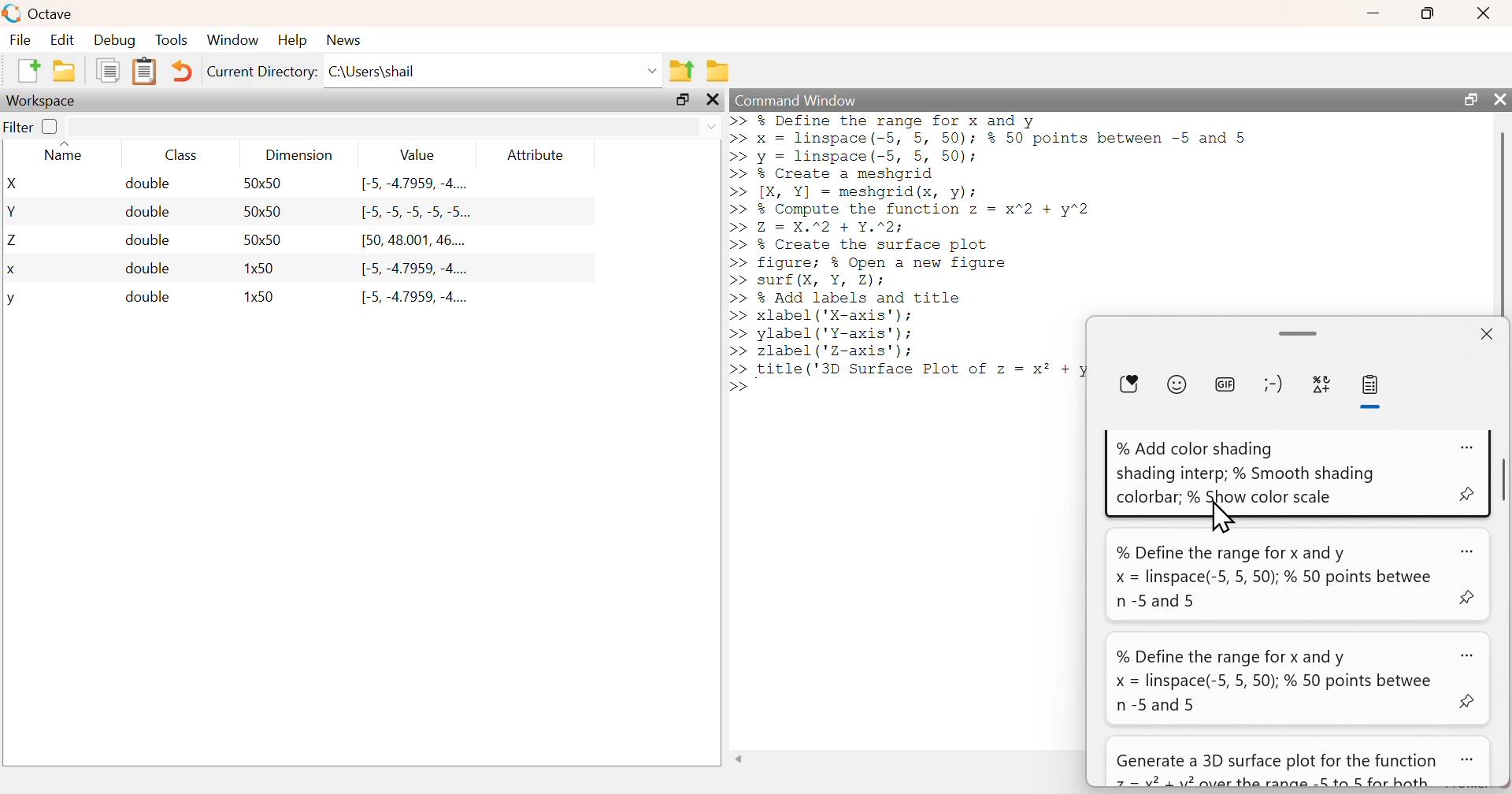 The image size is (1512, 794). What do you see at coordinates (261, 295) in the screenshot?
I see `1x50` at bounding box center [261, 295].